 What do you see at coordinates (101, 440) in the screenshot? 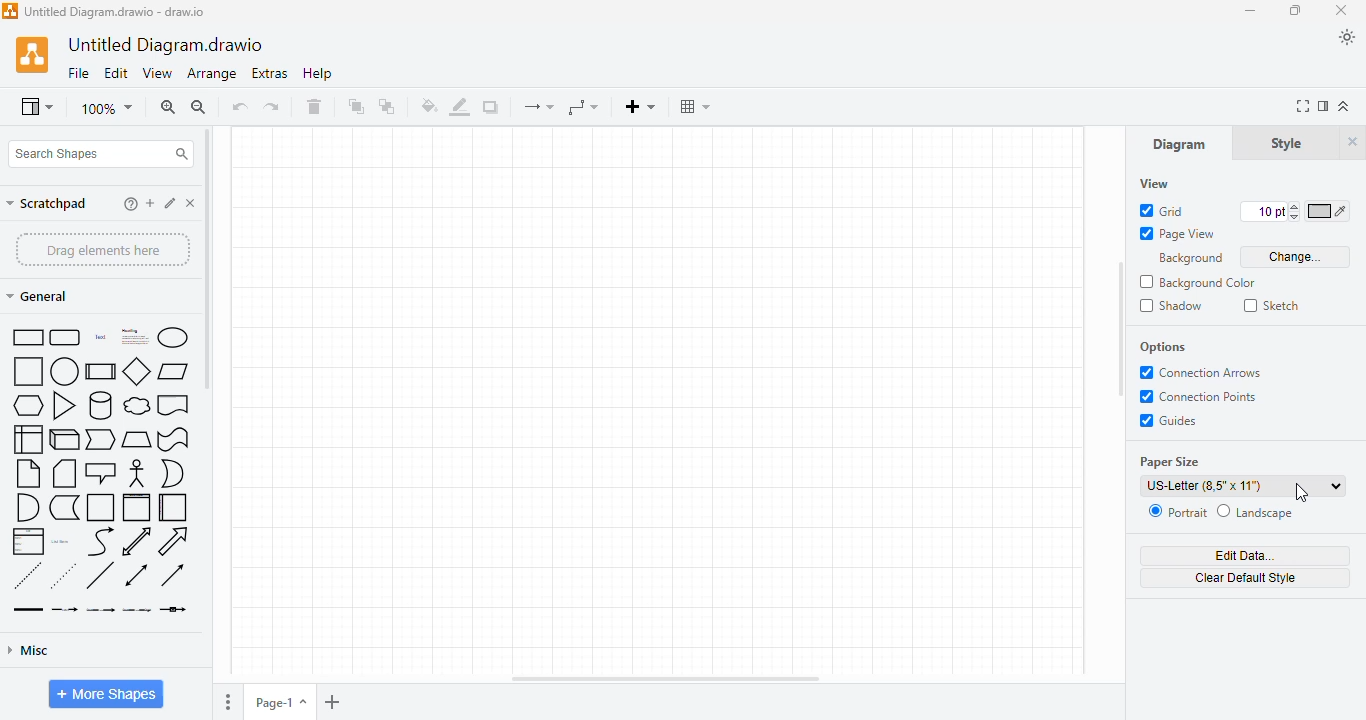
I see `step` at bounding box center [101, 440].